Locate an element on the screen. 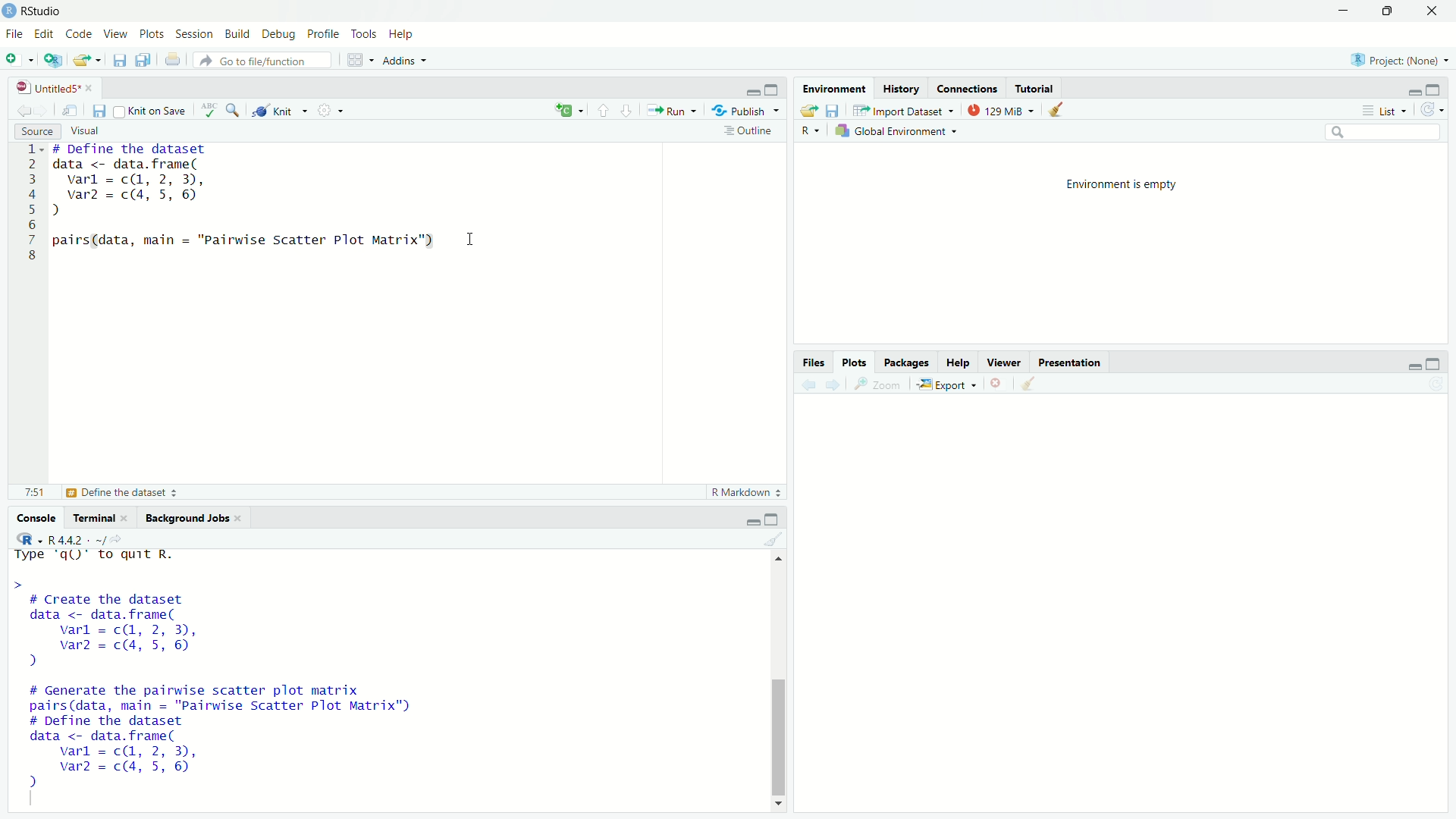 This screenshot has width=1456, height=819. Files is located at coordinates (814, 361).